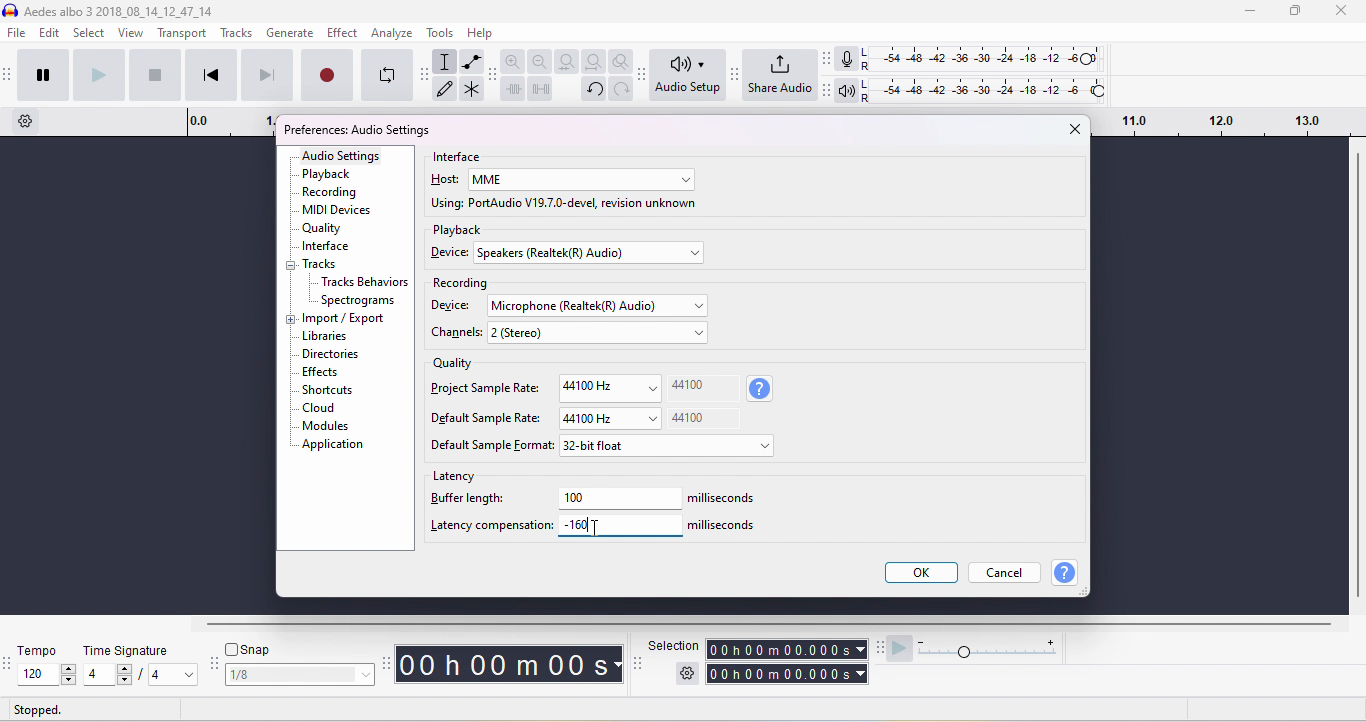  Describe the element at coordinates (342, 32) in the screenshot. I see `effect` at that location.